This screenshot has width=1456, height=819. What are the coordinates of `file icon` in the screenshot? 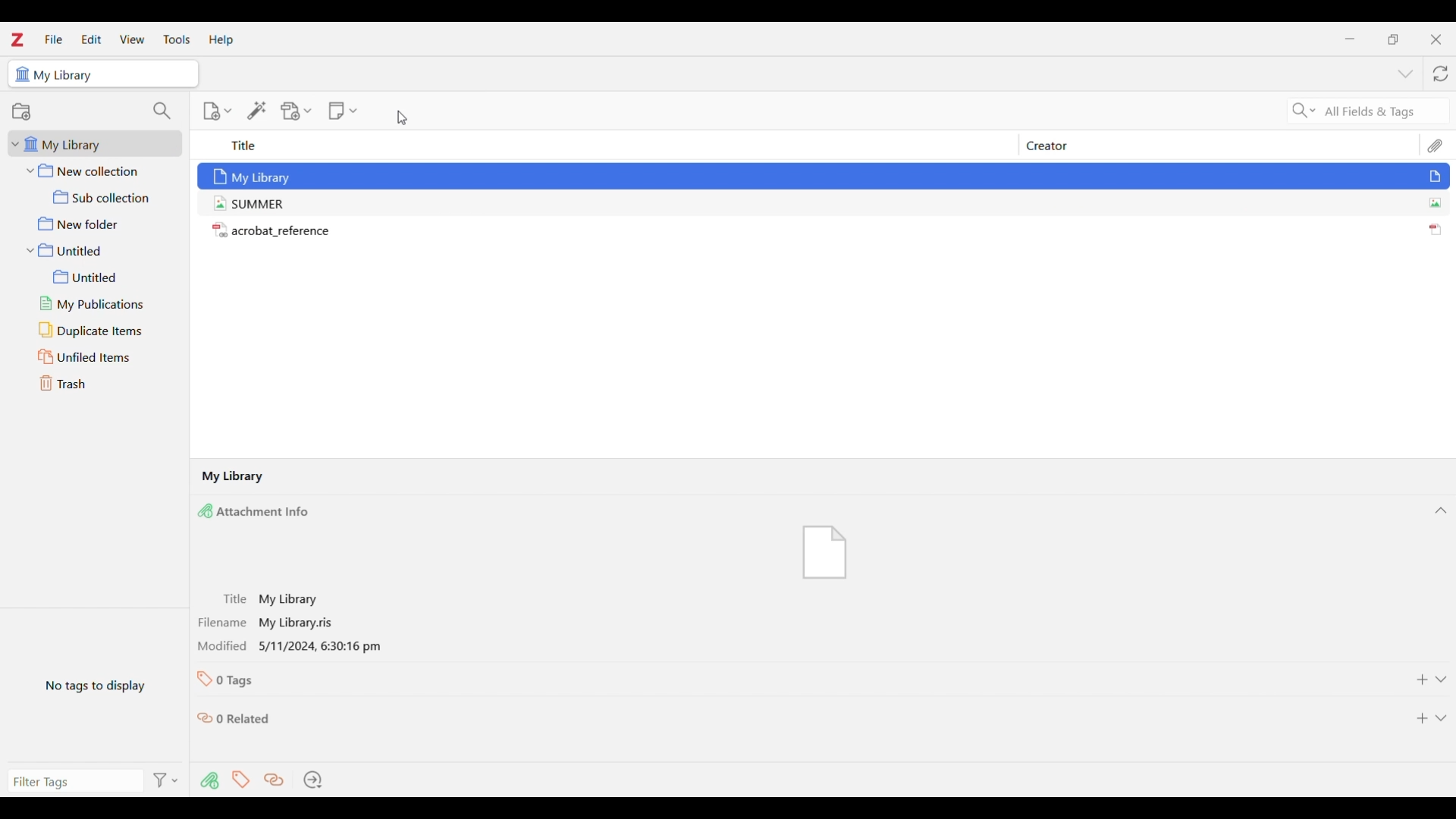 It's located at (1441, 175).